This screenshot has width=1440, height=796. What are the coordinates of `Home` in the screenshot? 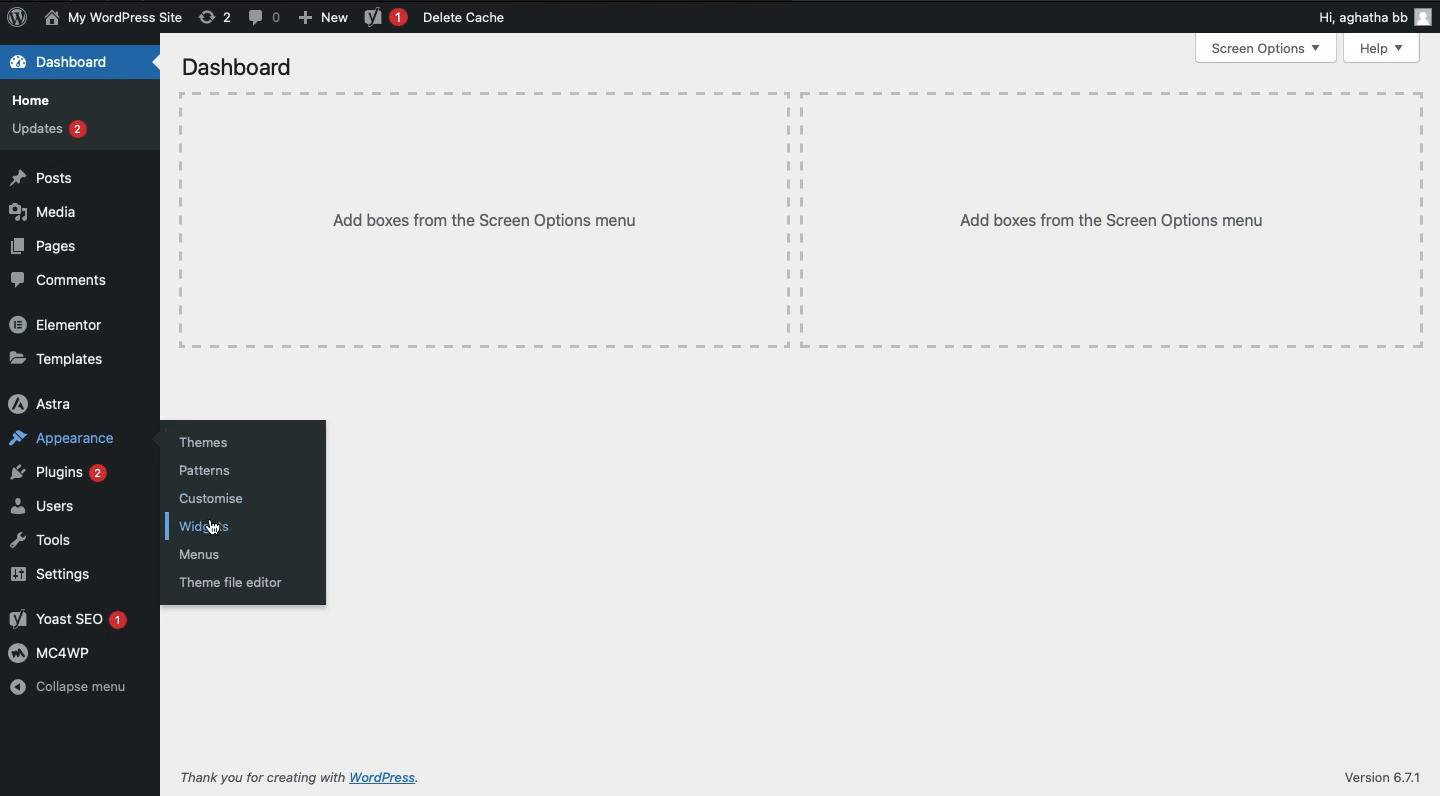 It's located at (46, 102).